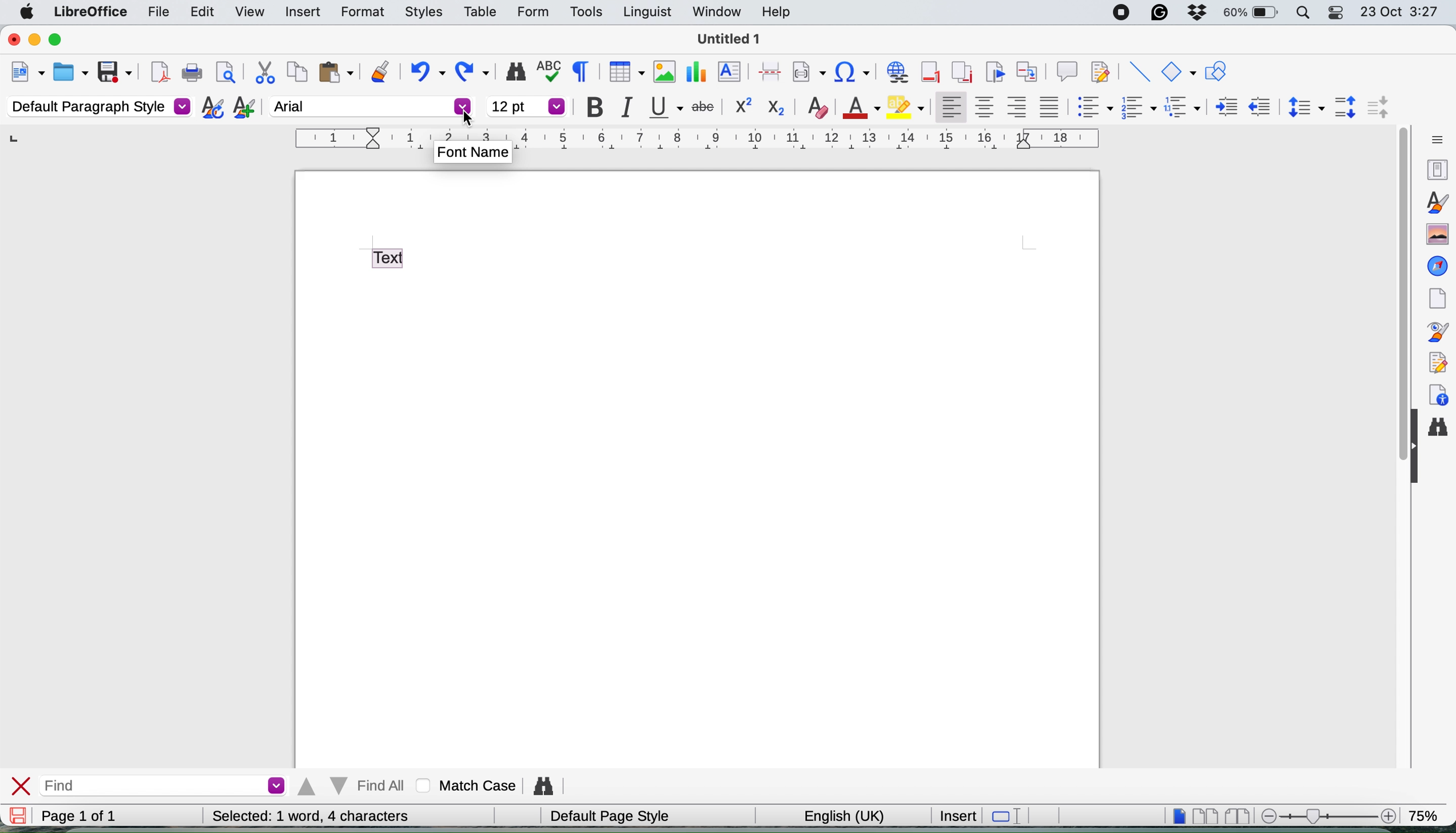 Image resolution: width=1456 pixels, height=833 pixels. What do you see at coordinates (1139, 109) in the screenshot?
I see `toggle ordered list` at bounding box center [1139, 109].